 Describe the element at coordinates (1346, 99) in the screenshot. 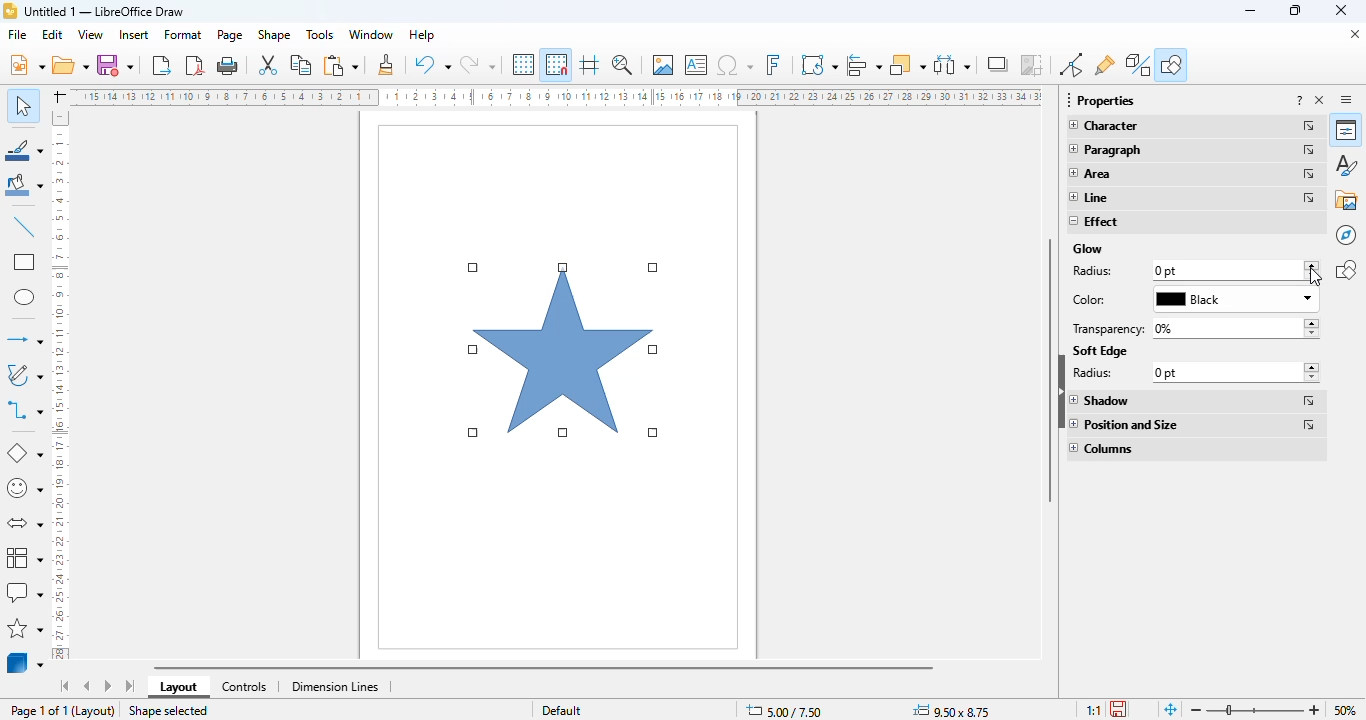

I see `sidebar settings` at that location.